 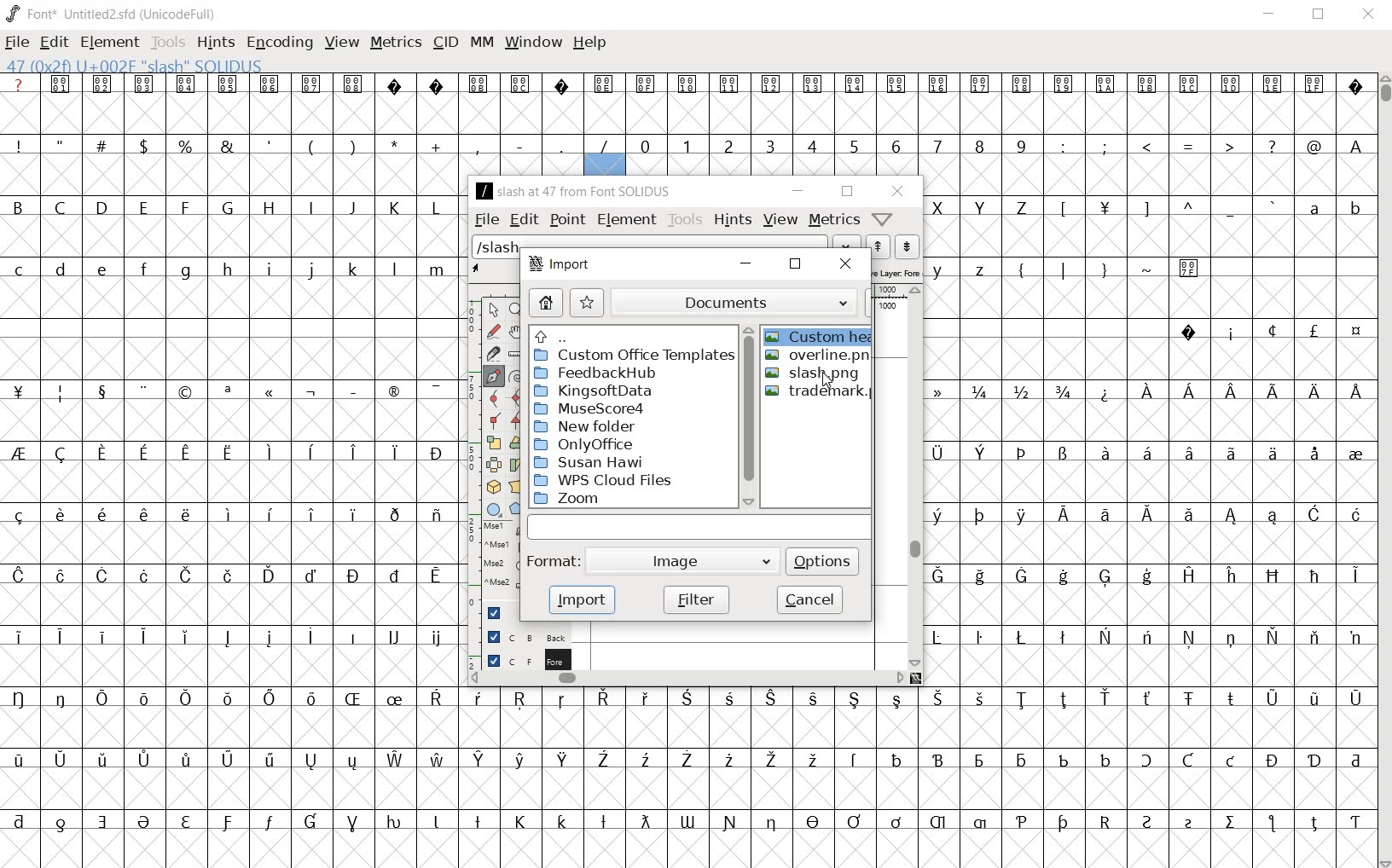 I want to click on empty cells, so click(x=688, y=847).